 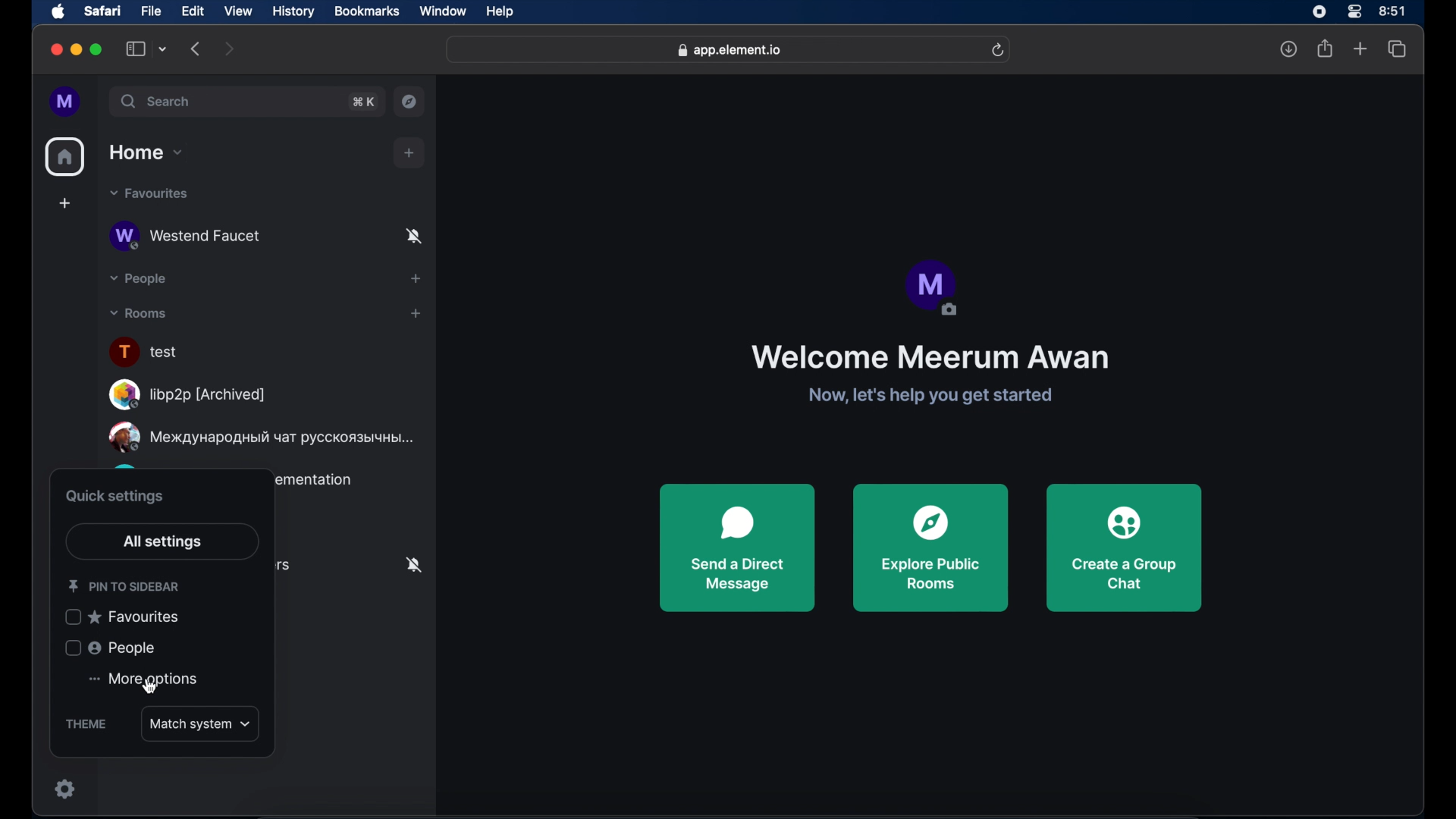 What do you see at coordinates (64, 203) in the screenshot?
I see `create space` at bounding box center [64, 203].